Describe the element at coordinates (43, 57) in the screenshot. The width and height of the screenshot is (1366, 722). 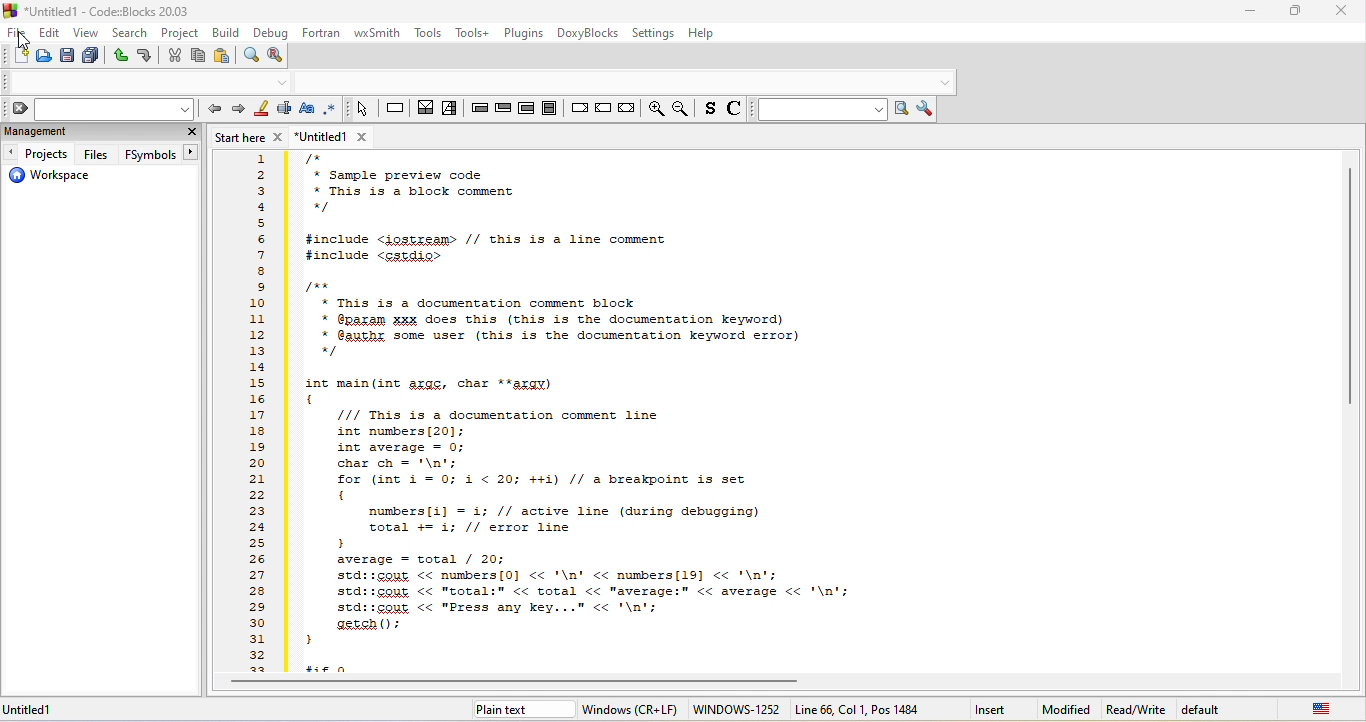
I see `open` at that location.